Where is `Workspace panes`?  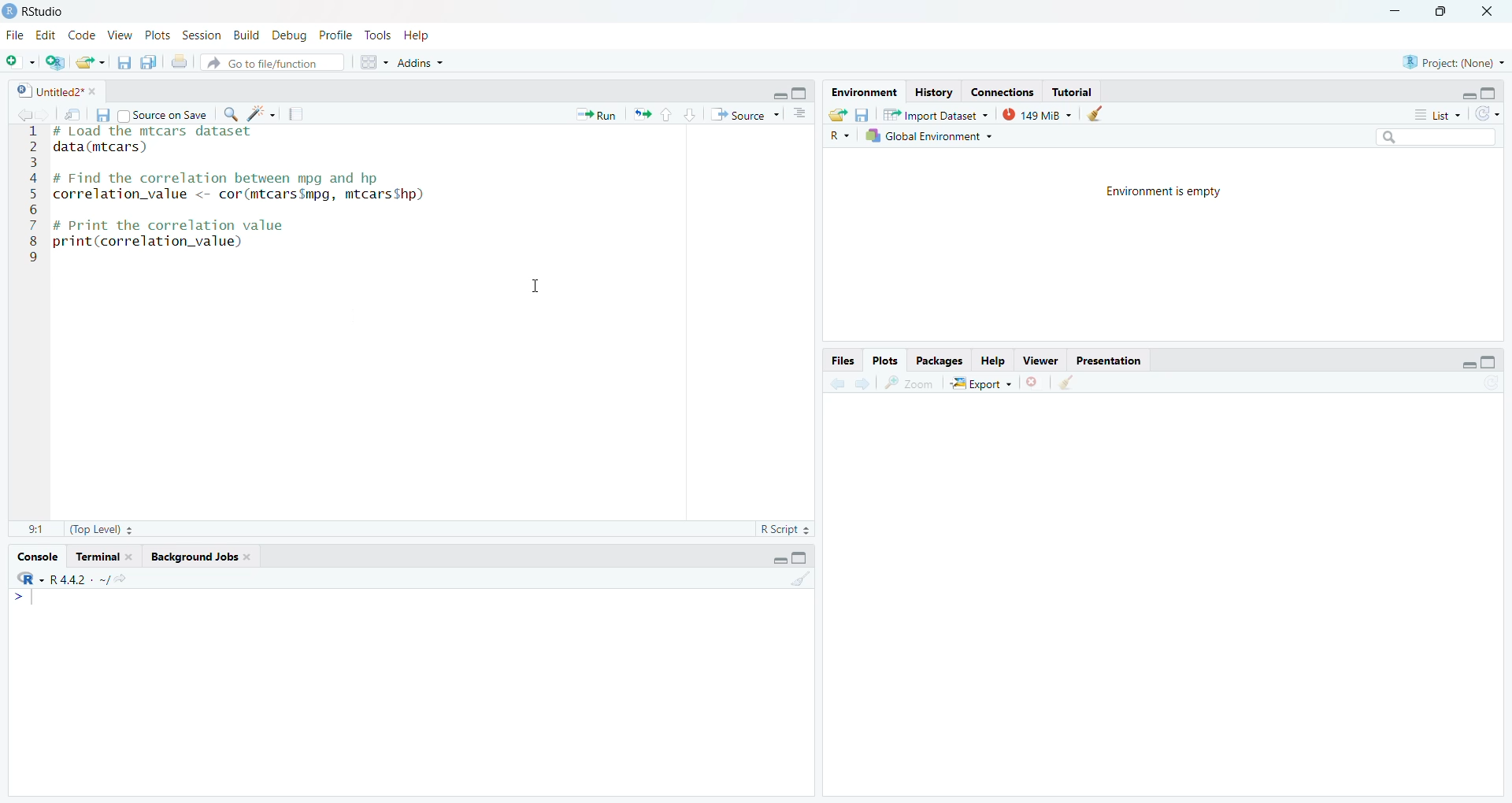 Workspace panes is located at coordinates (374, 61).